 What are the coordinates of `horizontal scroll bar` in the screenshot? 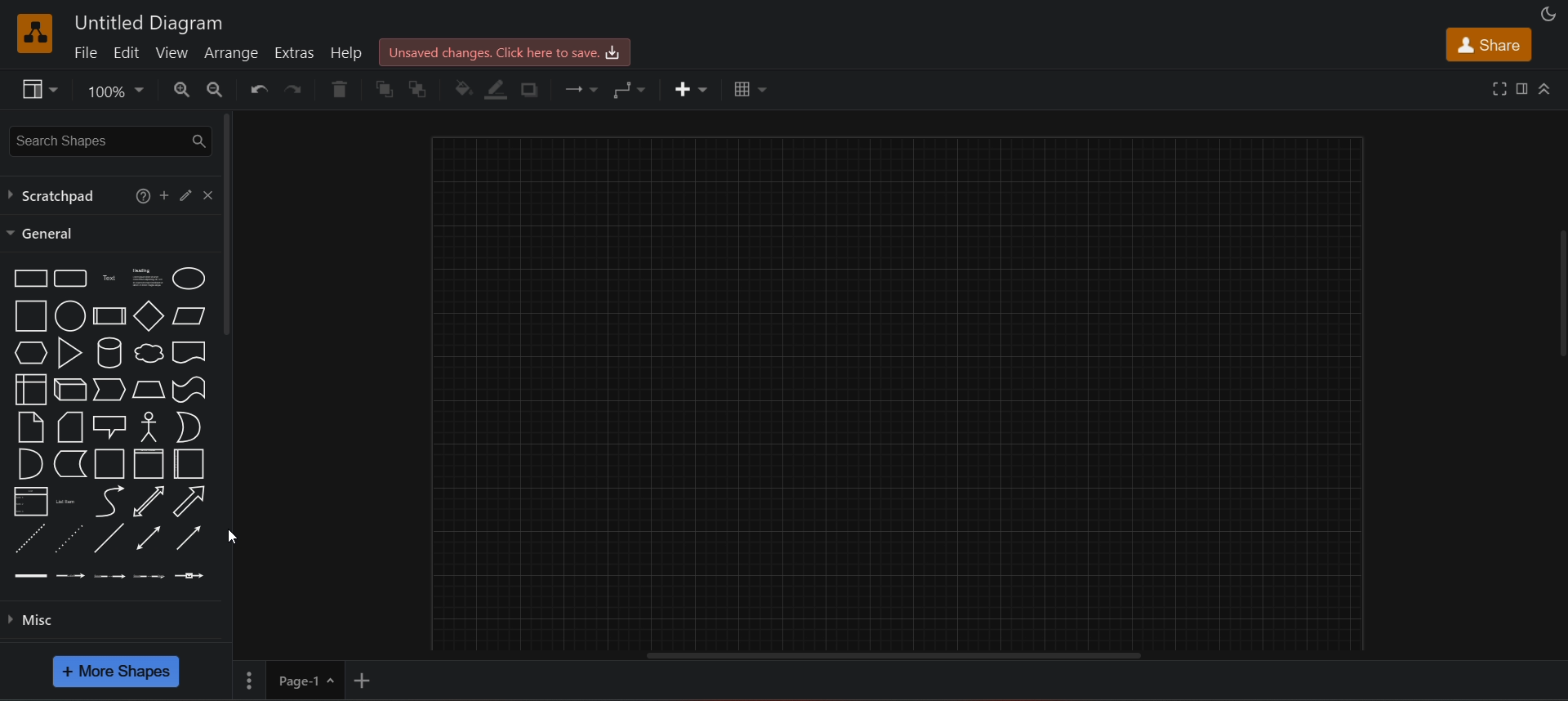 It's located at (895, 655).